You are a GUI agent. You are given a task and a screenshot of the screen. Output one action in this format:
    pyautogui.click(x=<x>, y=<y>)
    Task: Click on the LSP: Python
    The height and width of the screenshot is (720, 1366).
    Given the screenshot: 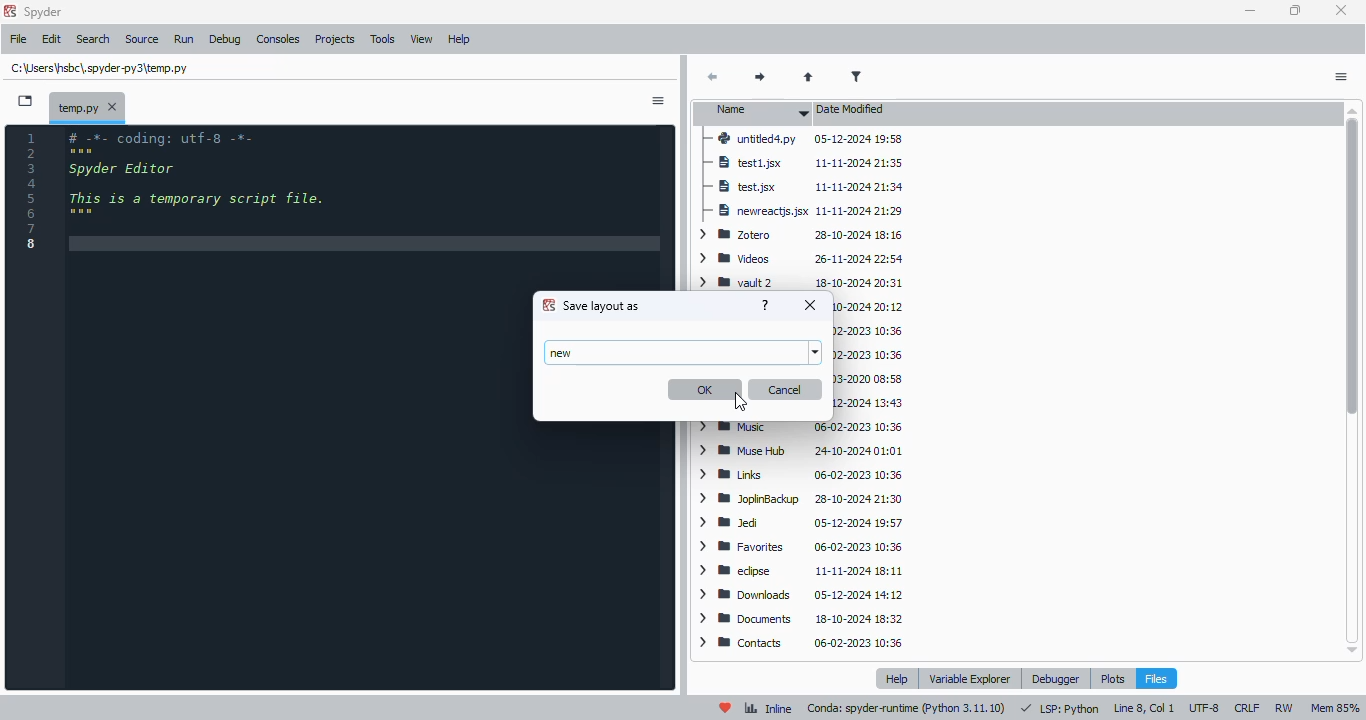 What is the action you would take?
    pyautogui.click(x=1060, y=708)
    